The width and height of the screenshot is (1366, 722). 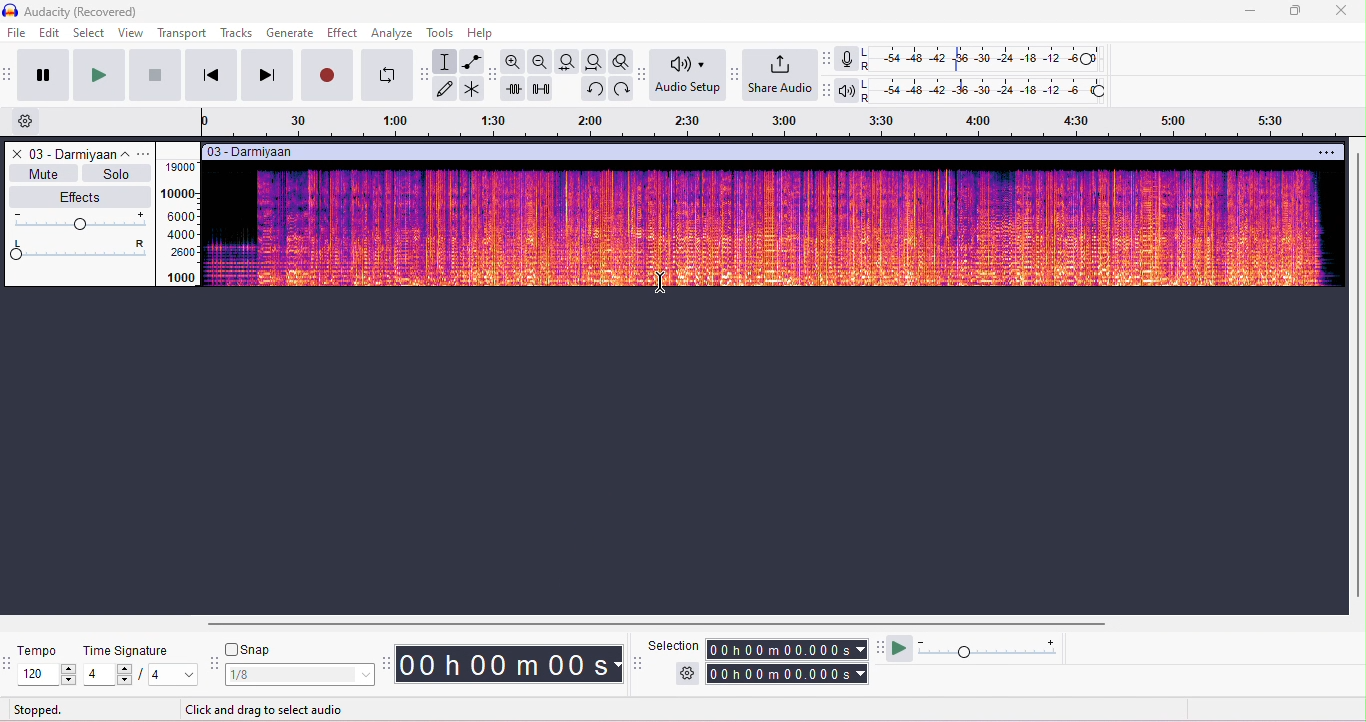 I want to click on track name, so click(x=82, y=153).